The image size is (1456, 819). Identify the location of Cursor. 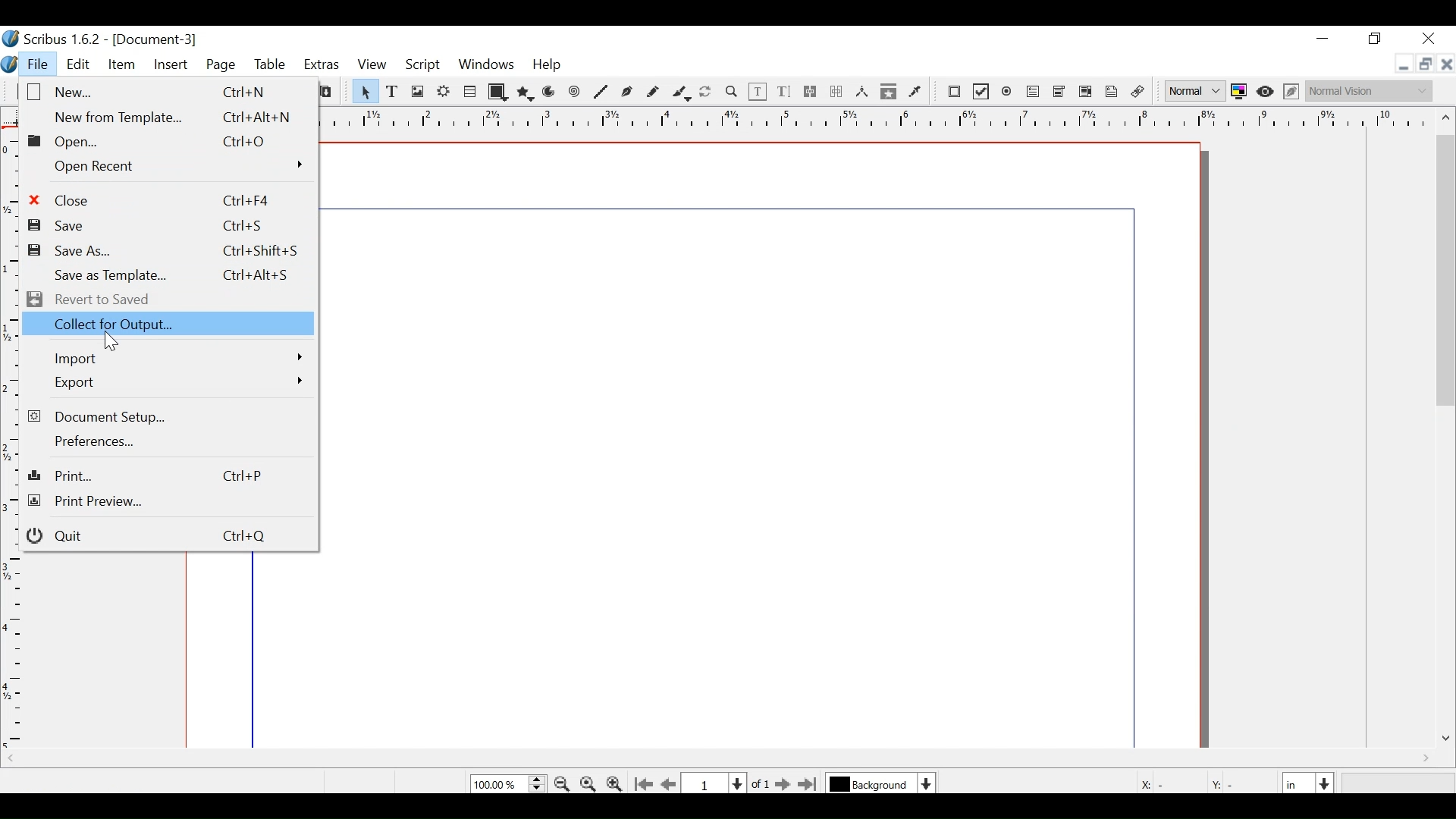
(112, 343).